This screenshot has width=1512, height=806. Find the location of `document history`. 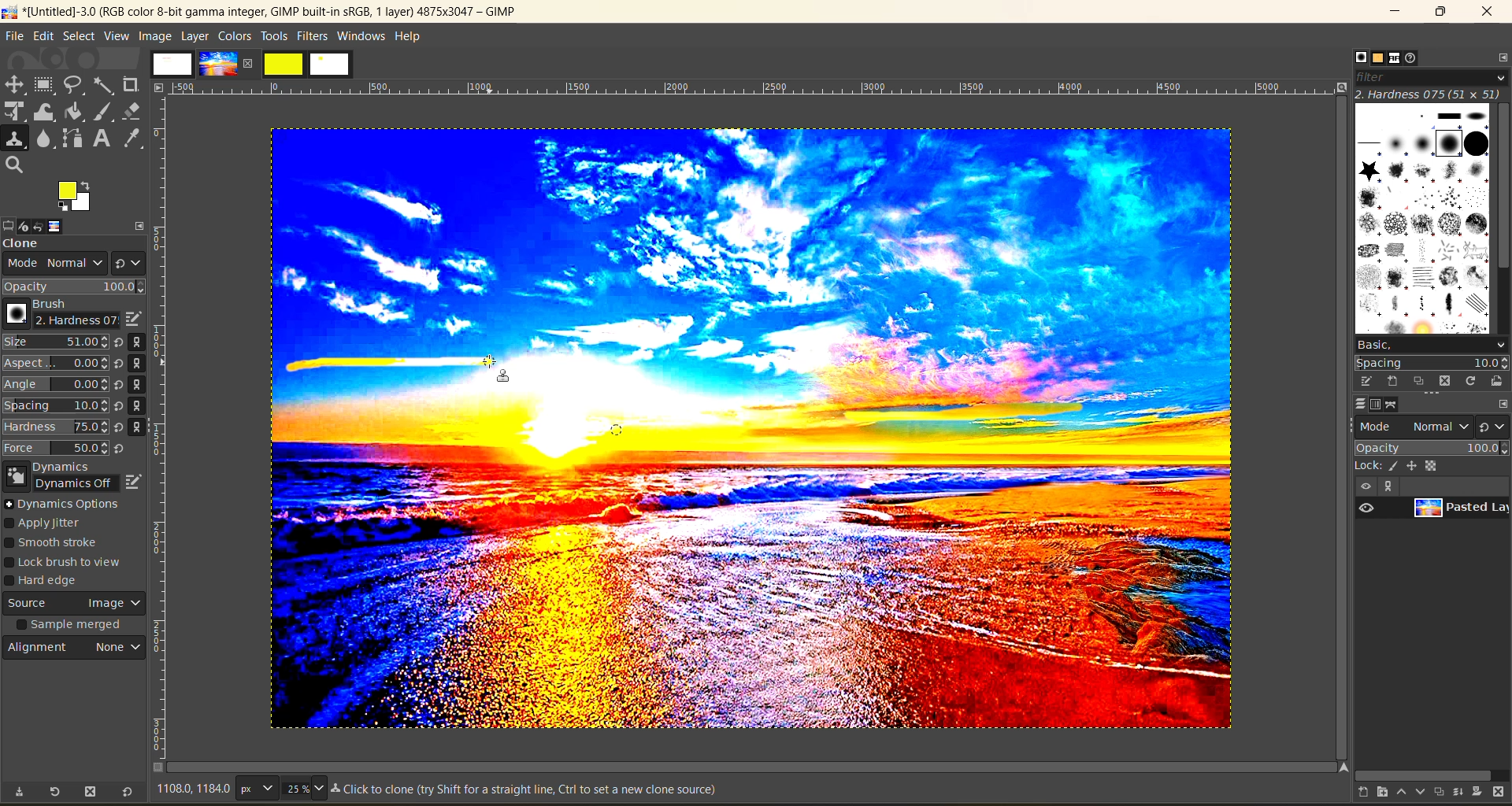

document history is located at coordinates (1417, 58).